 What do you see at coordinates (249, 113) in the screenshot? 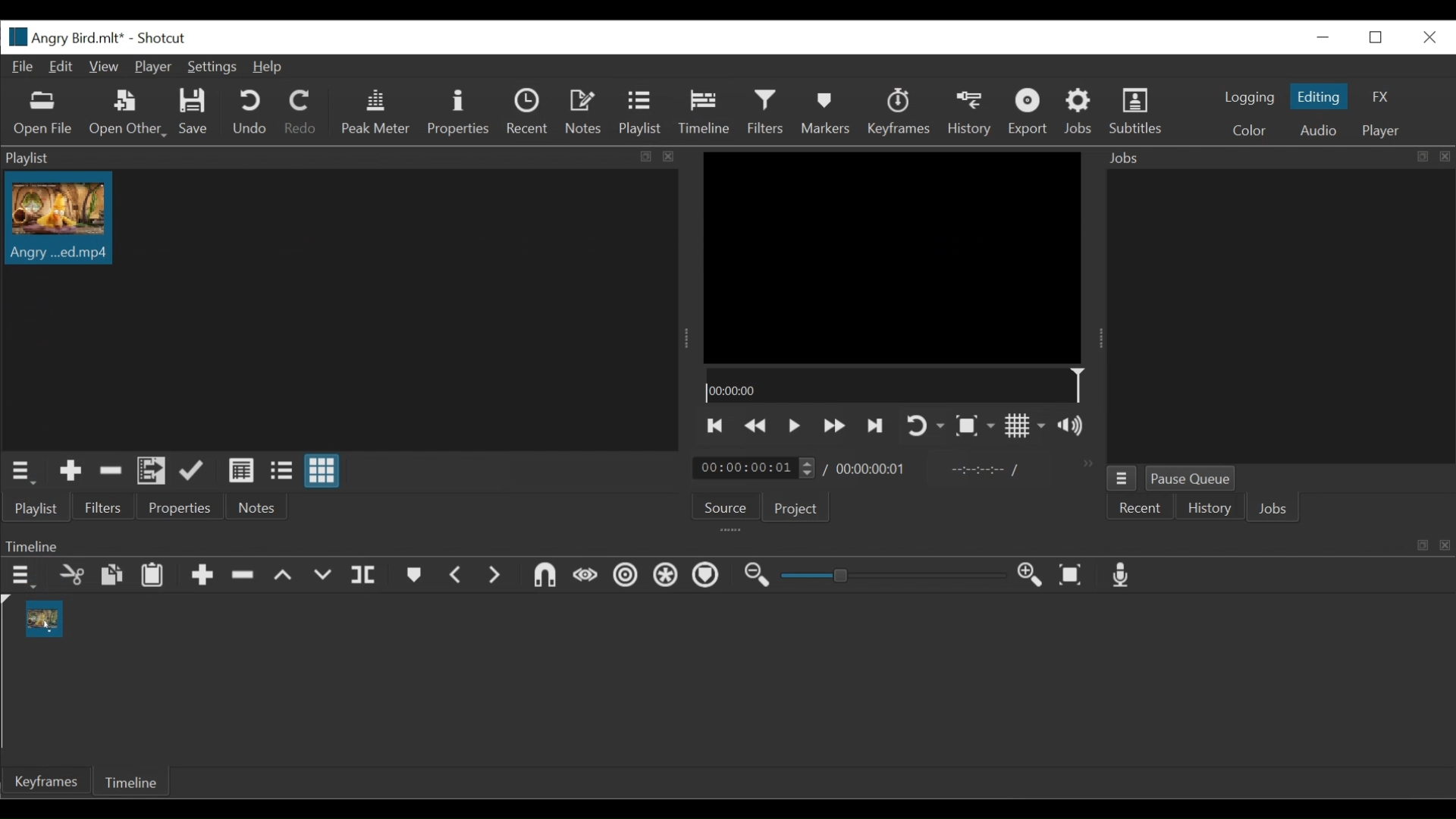
I see `Undo` at bounding box center [249, 113].